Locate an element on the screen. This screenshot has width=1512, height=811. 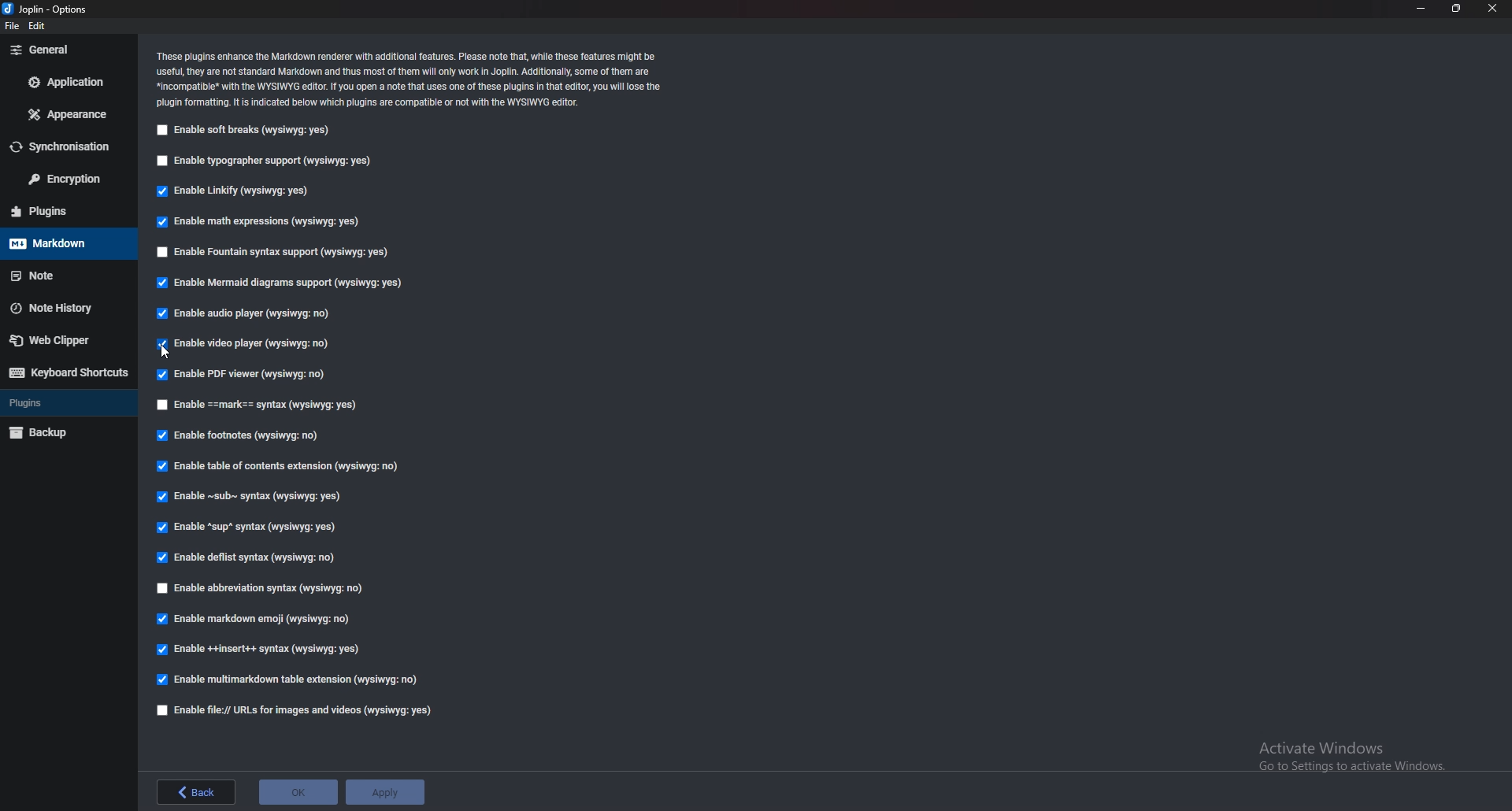
Apply is located at coordinates (385, 793).